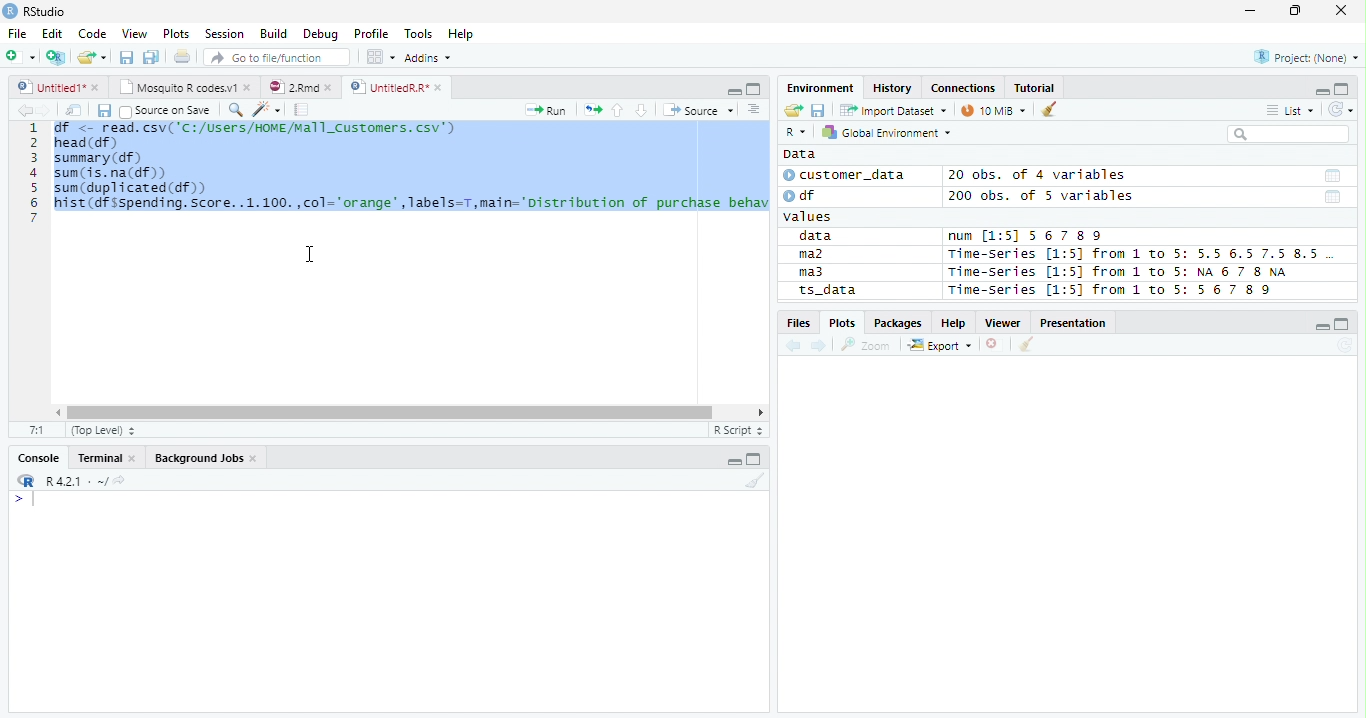  What do you see at coordinates (798, 323) in the screenshot?
I see `Files` at bounding box center [798, 323].